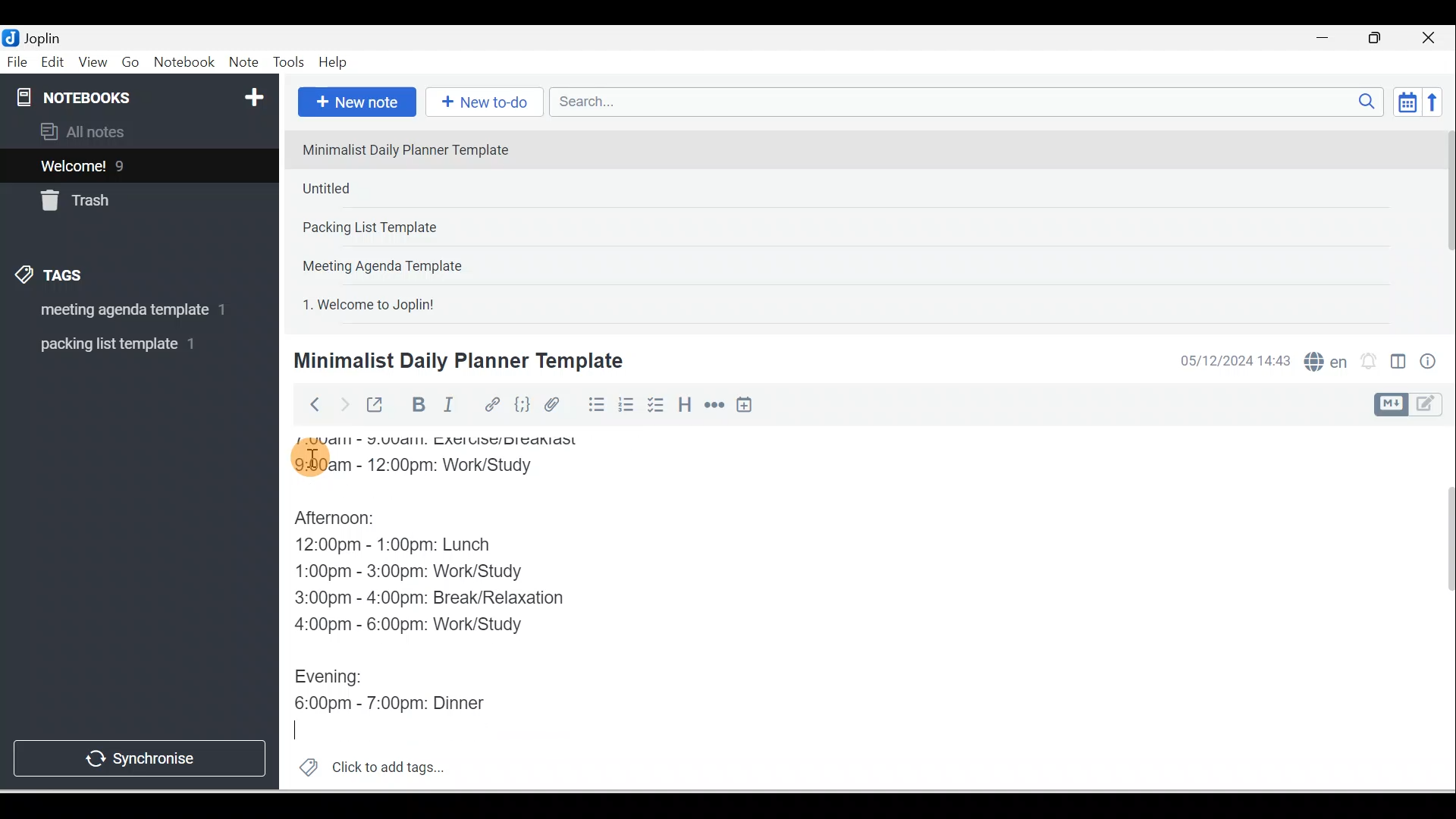  I want to click on Notebook, so click(184, 63).